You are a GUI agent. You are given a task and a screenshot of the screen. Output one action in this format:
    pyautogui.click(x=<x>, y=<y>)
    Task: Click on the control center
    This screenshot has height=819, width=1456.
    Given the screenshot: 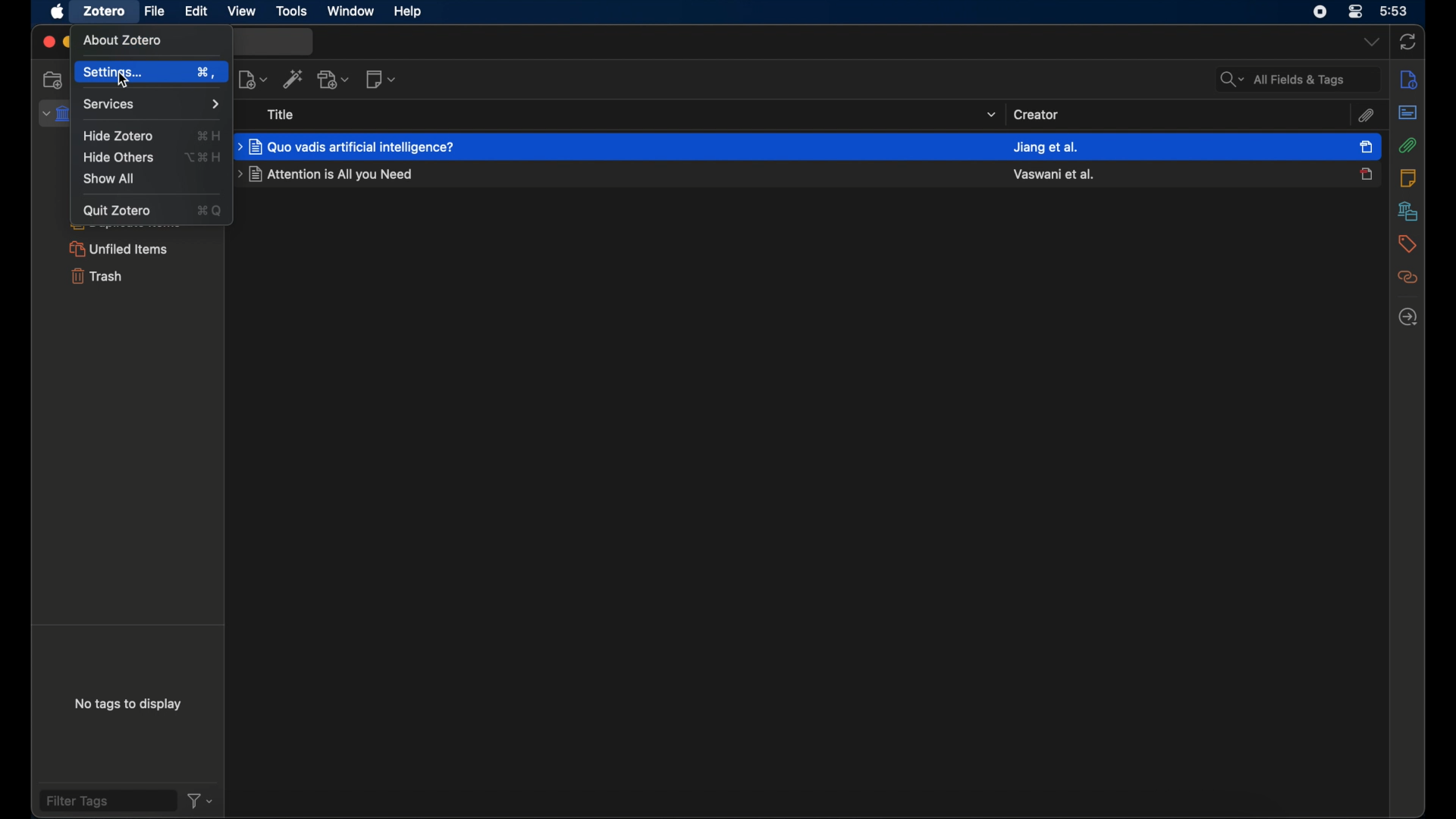 What is the action you would take?
    pyautogui.click(x=1319, y=12)
    